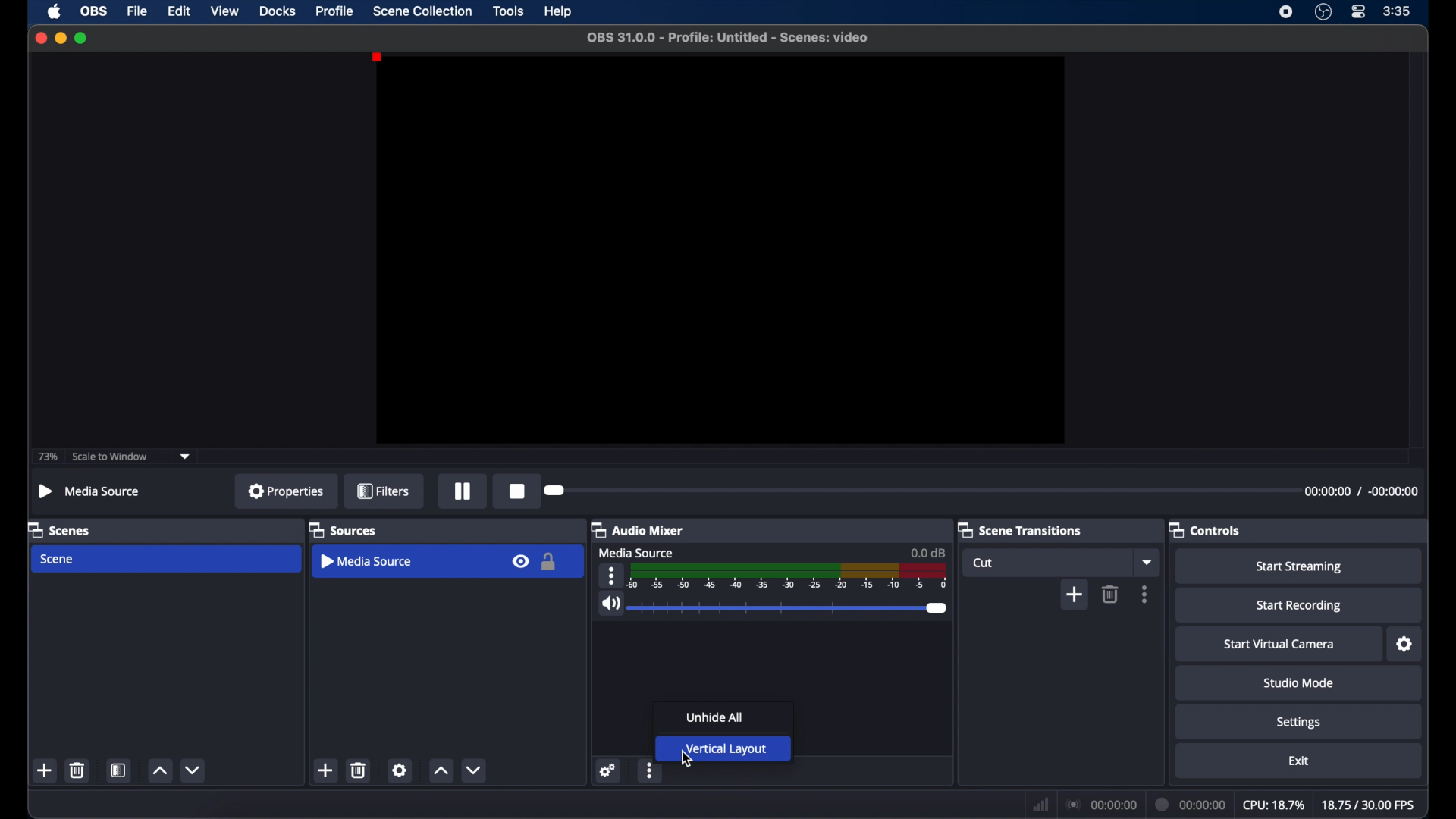 Image resolution: width=1456 pixels, height=819 pixels. Describe the element at coordinates (179, 11) in the screenshot. I see `edit` at that location.